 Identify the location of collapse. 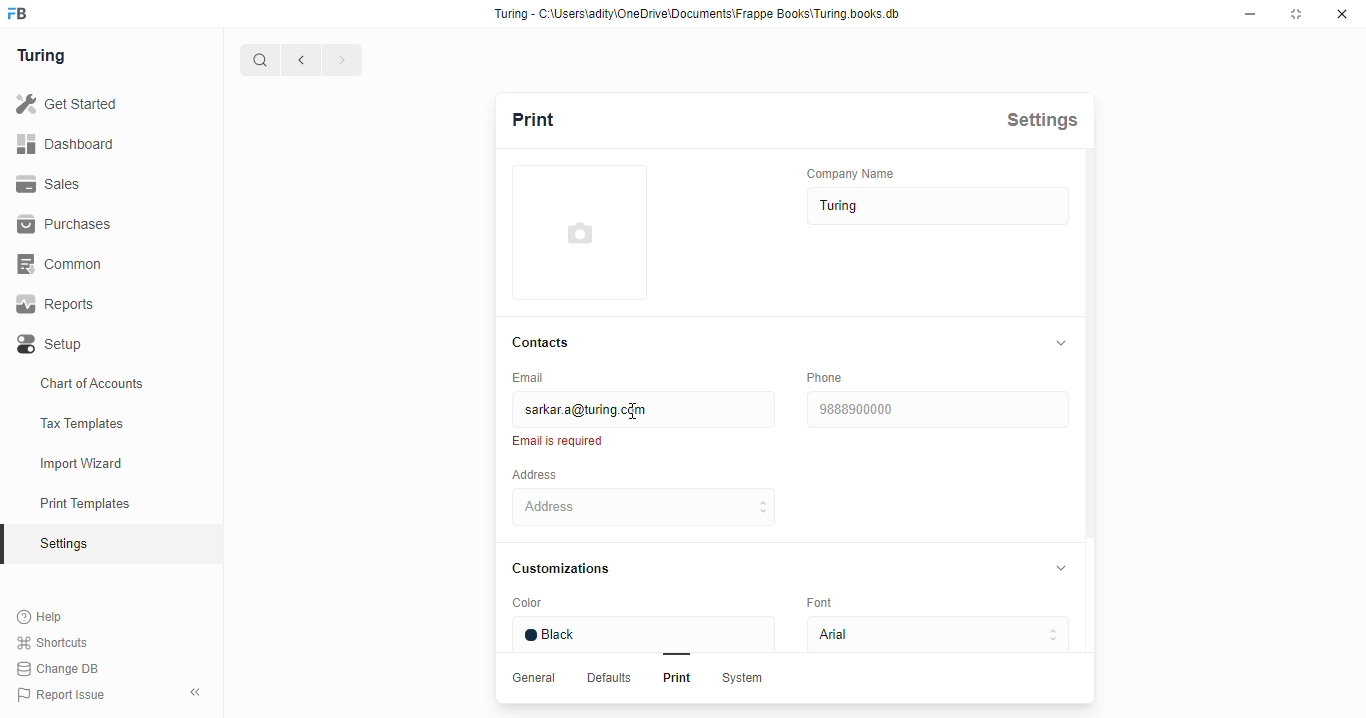
(1062, 342).